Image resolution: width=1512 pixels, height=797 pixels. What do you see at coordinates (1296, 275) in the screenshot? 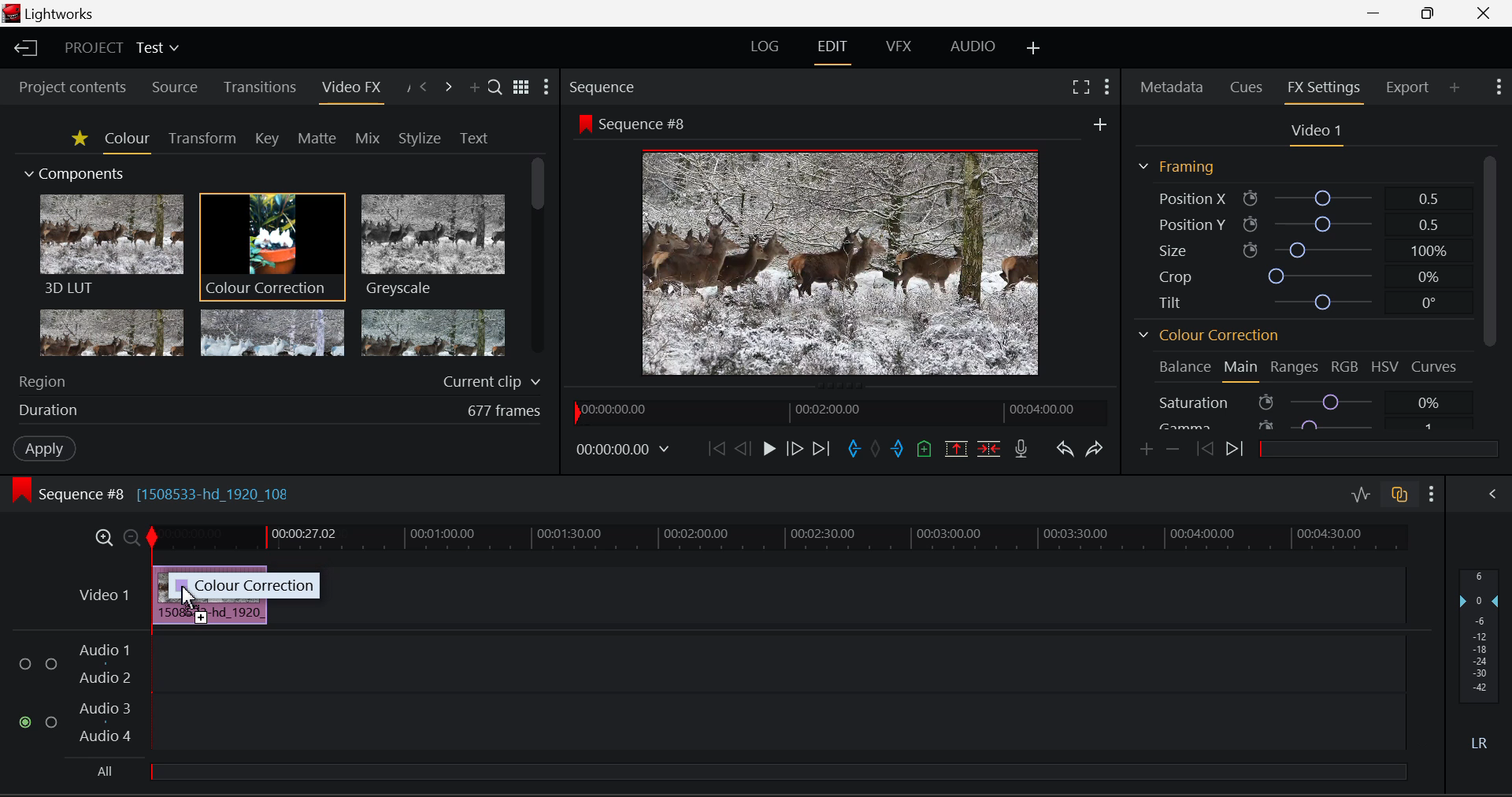
I see `Crop` at bounding box center [1296, 275].